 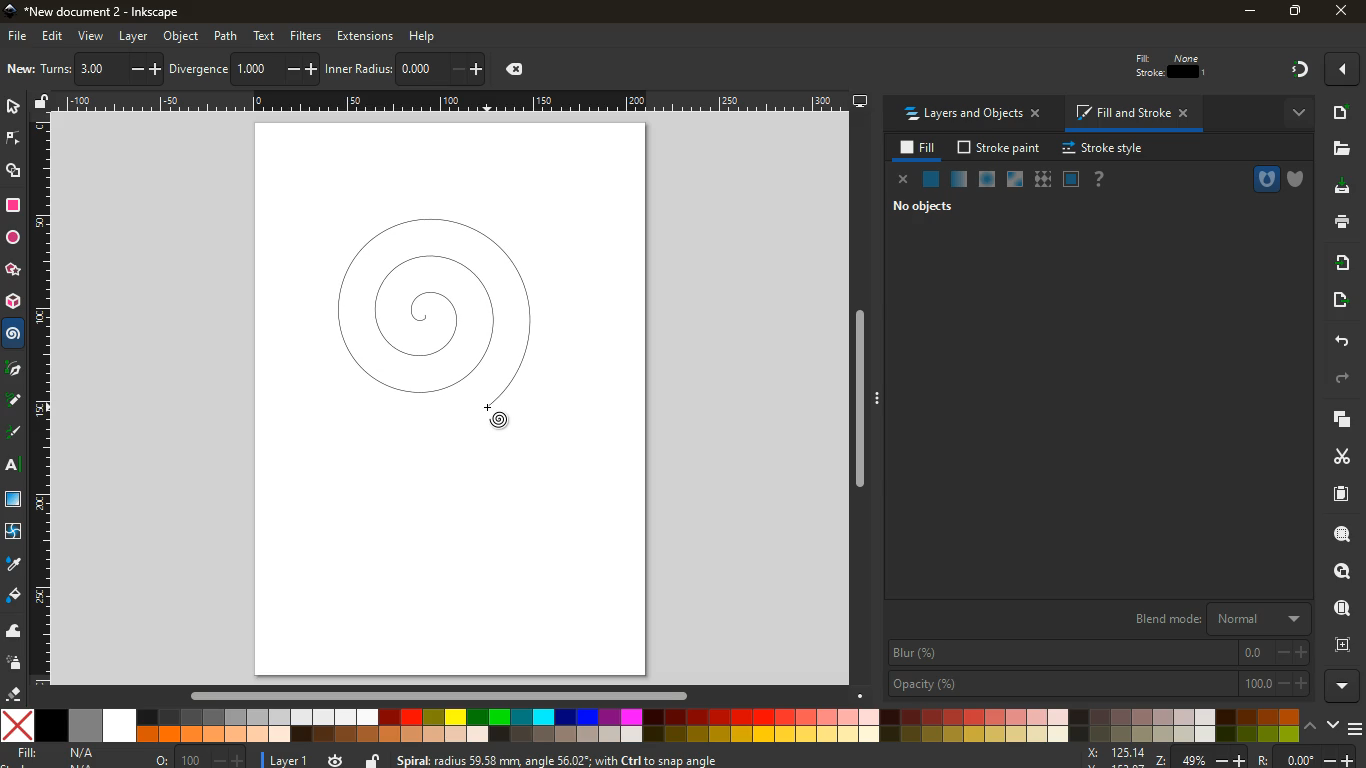 I want to click on screen, so click(x=1072, y=180).